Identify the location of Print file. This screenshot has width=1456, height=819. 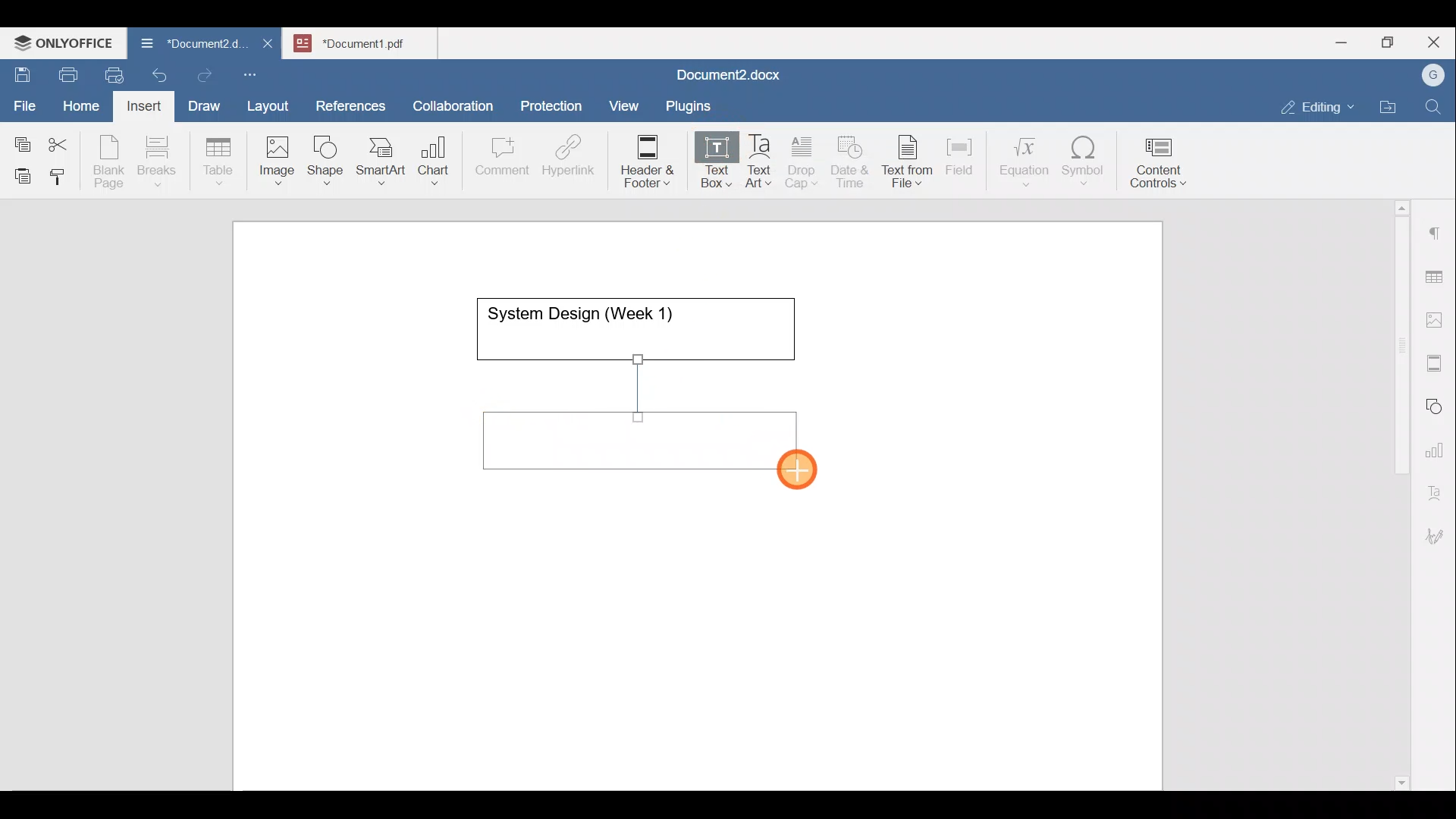
(65, 72).